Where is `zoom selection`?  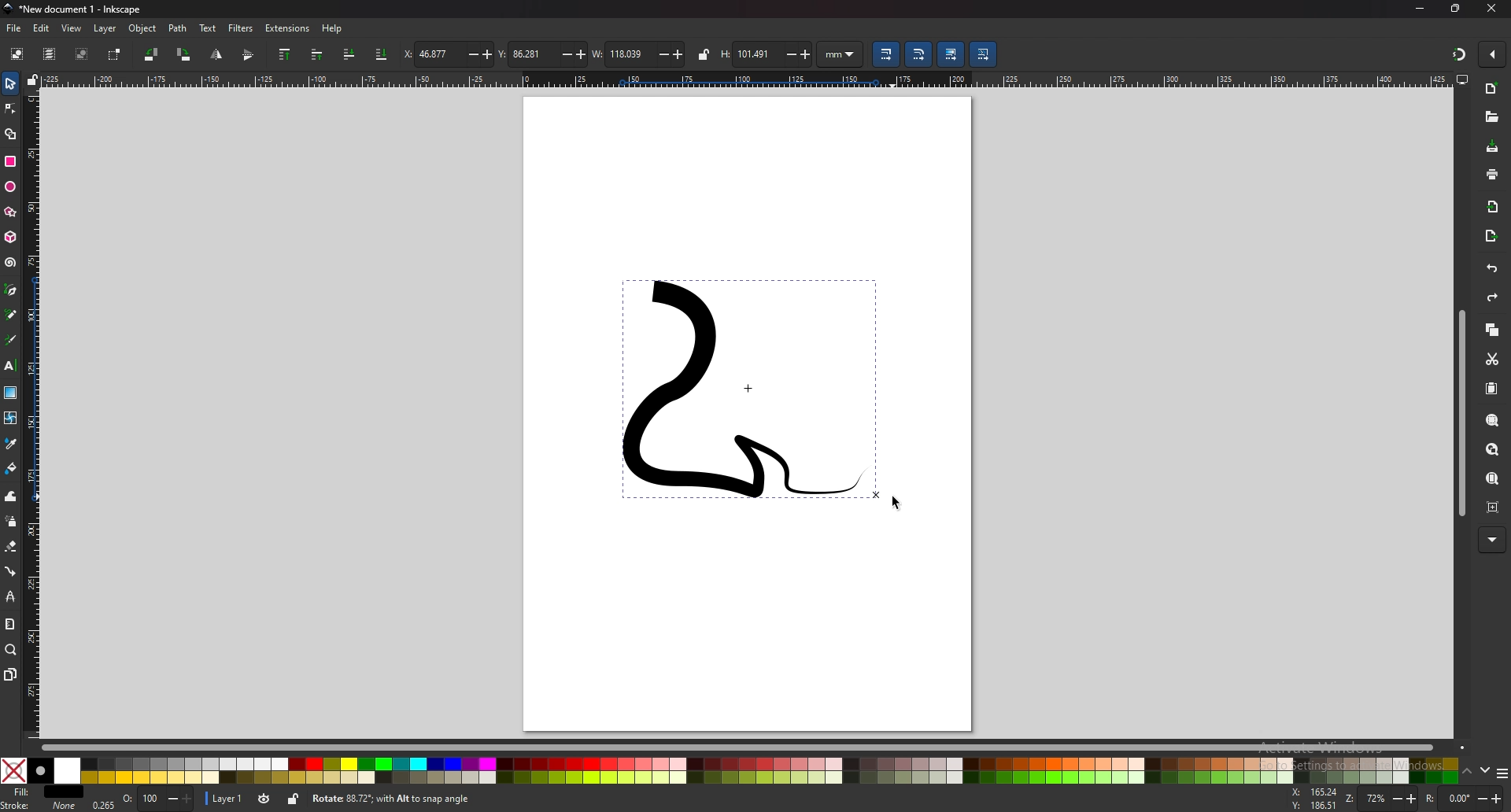
zoom selection is located at coordinates (1491, 419).